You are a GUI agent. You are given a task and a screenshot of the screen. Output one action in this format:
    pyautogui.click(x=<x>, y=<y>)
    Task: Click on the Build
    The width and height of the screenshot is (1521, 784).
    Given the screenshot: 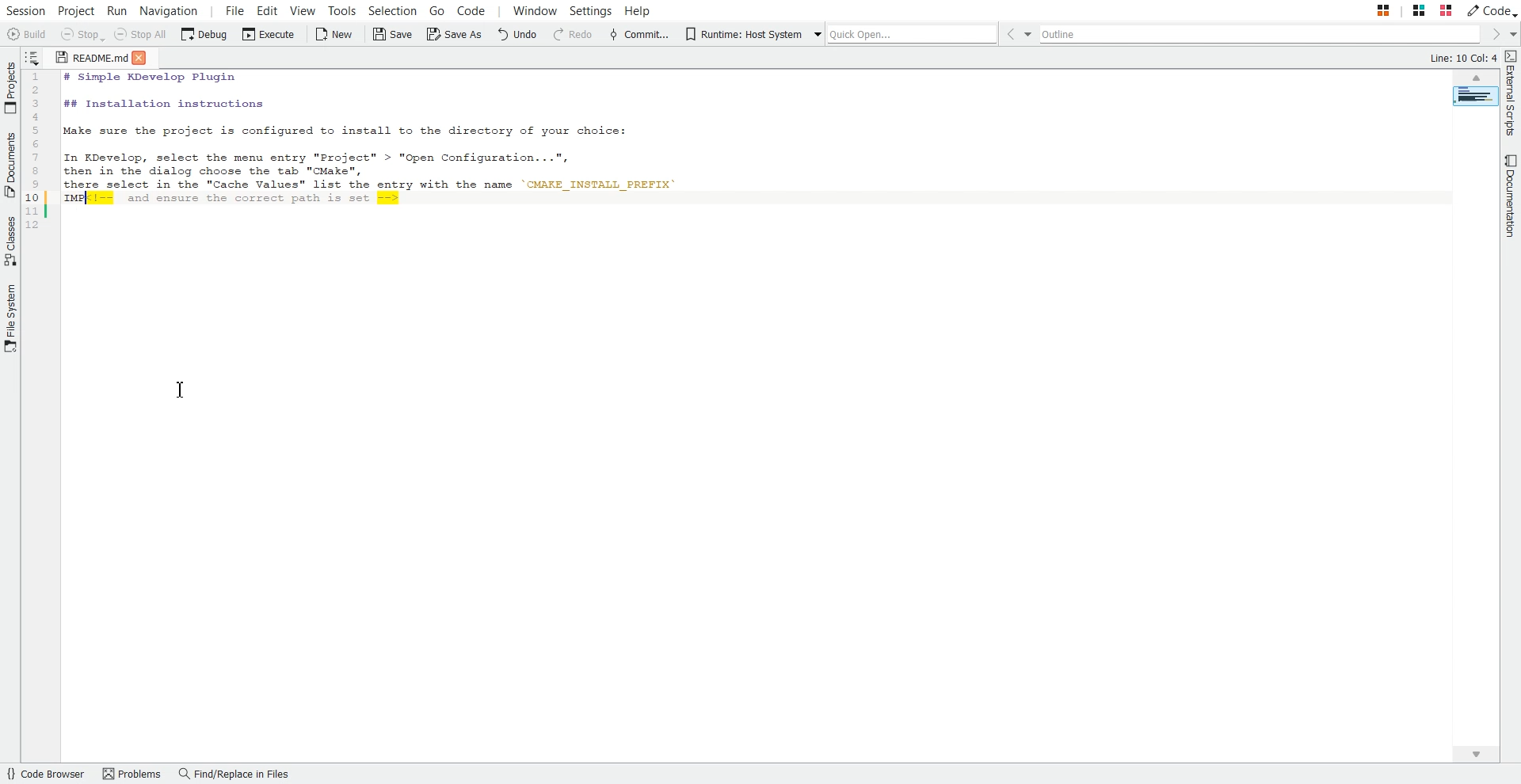 What is the action you would take?
    pyautogui.click(x=25, y=34)
    